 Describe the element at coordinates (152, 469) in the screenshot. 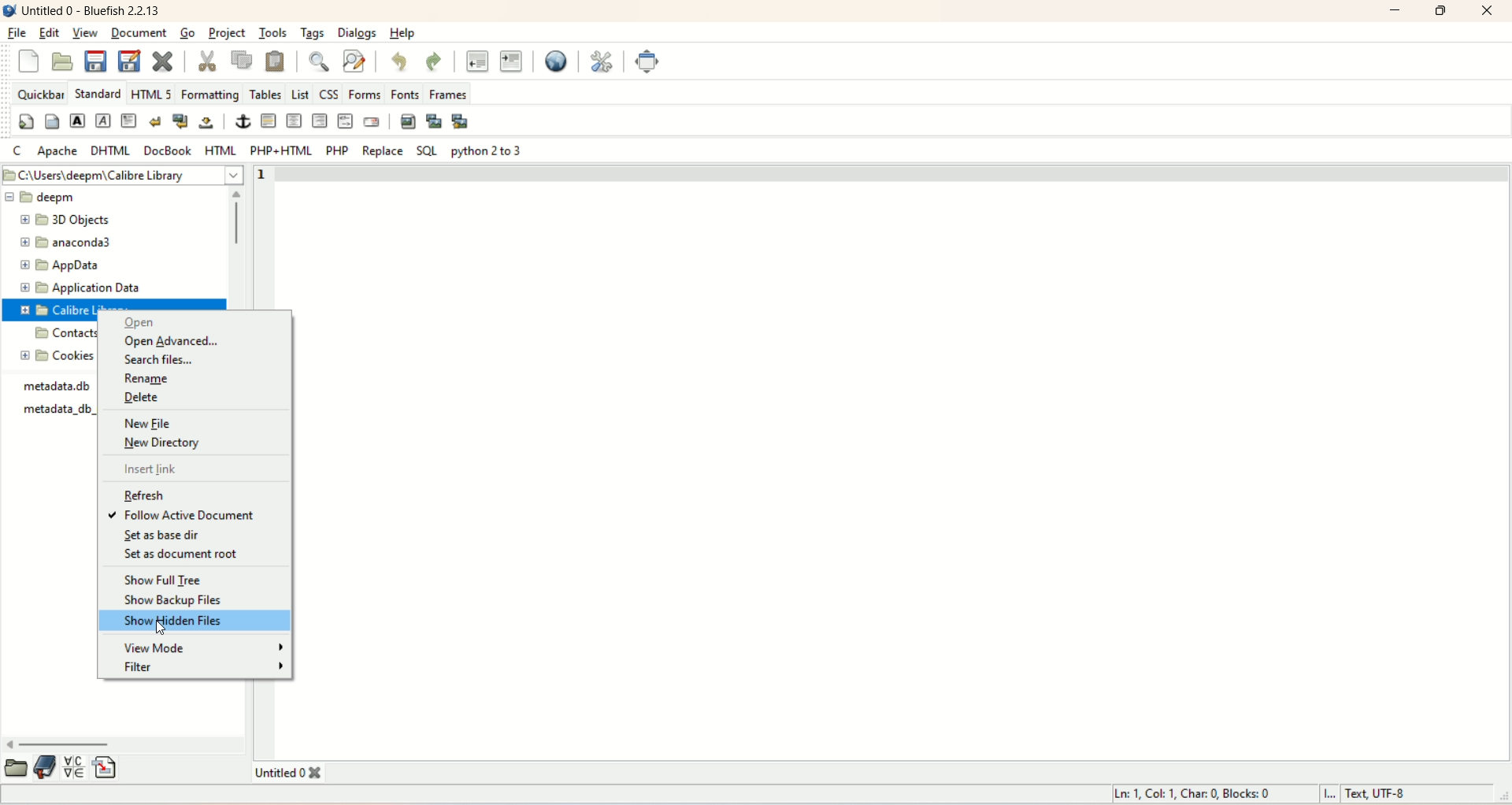

I see `insert link` at that location.